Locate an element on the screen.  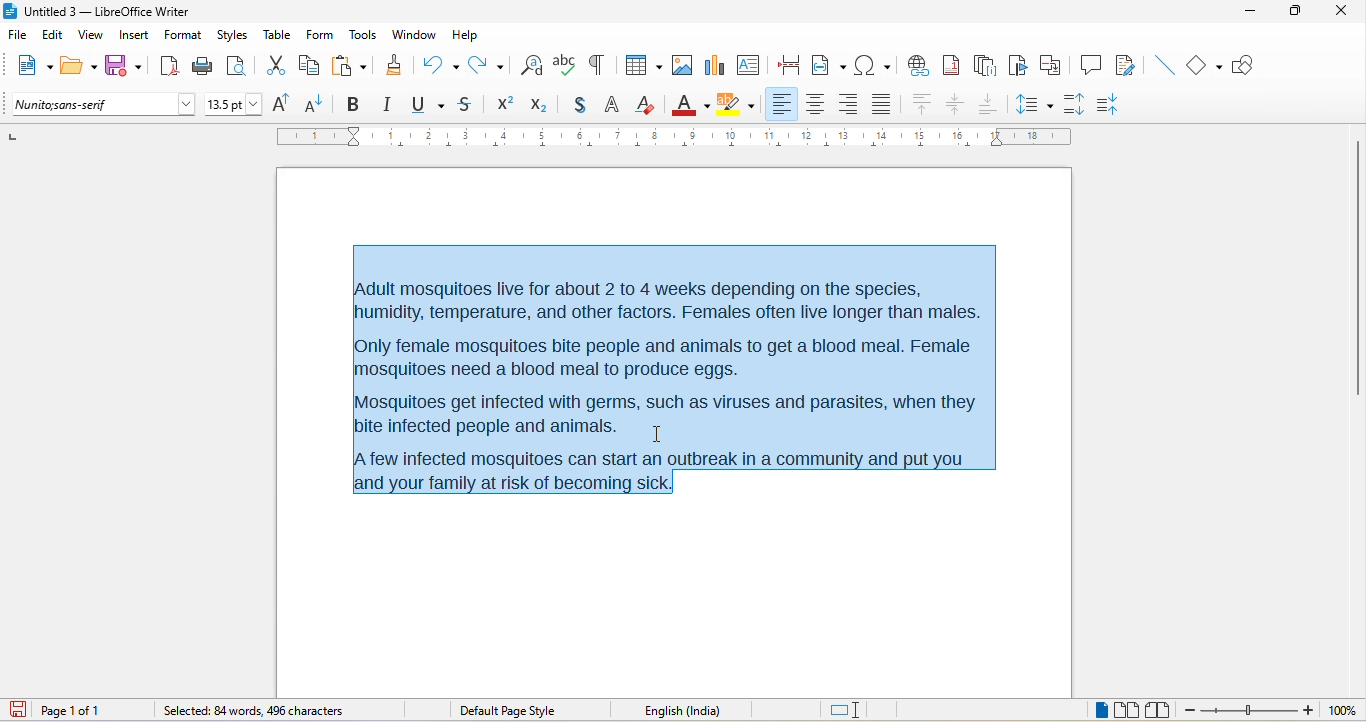
insert is located at coordinates (134, 37).